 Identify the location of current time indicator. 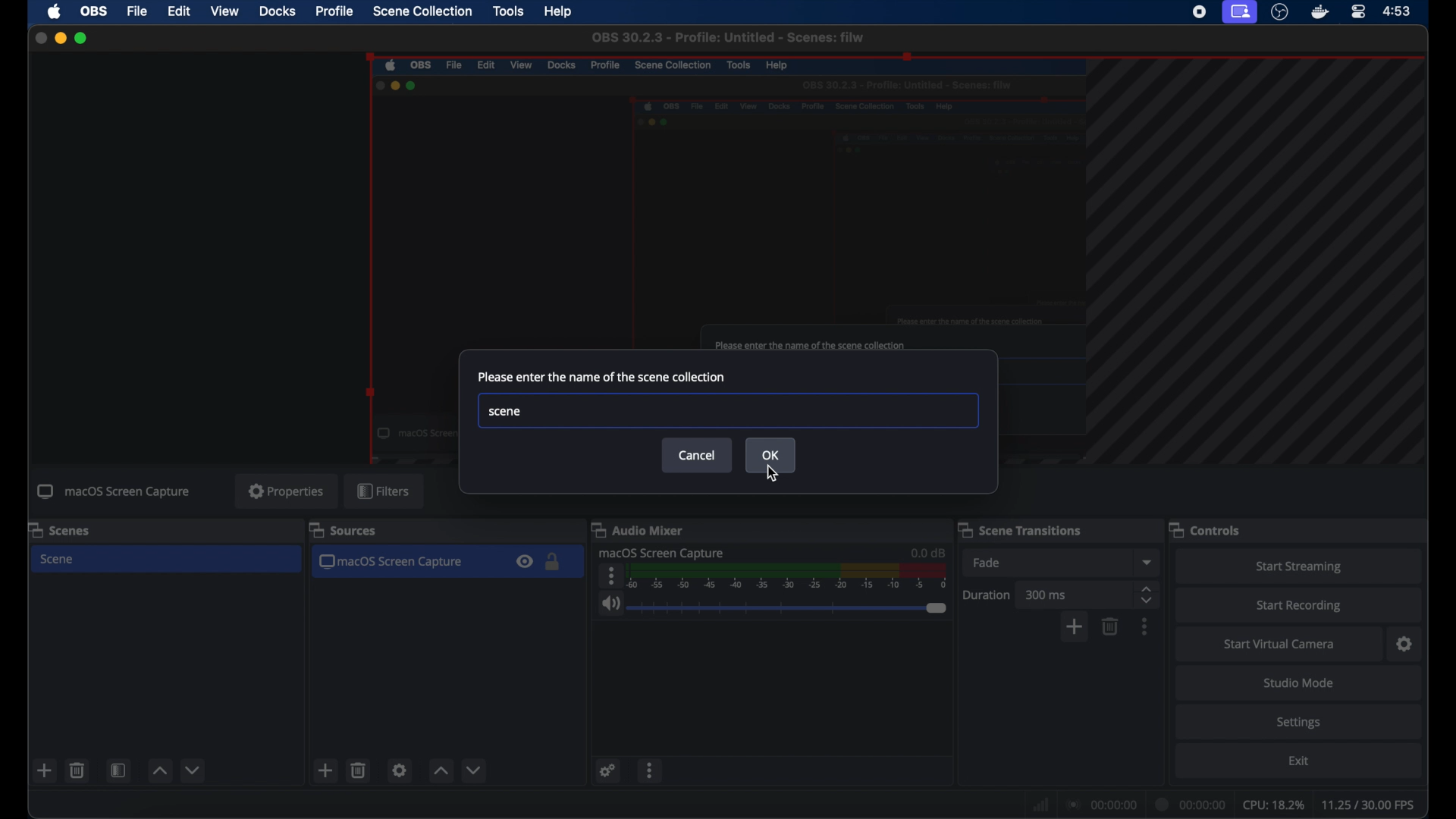
(1194, 802).